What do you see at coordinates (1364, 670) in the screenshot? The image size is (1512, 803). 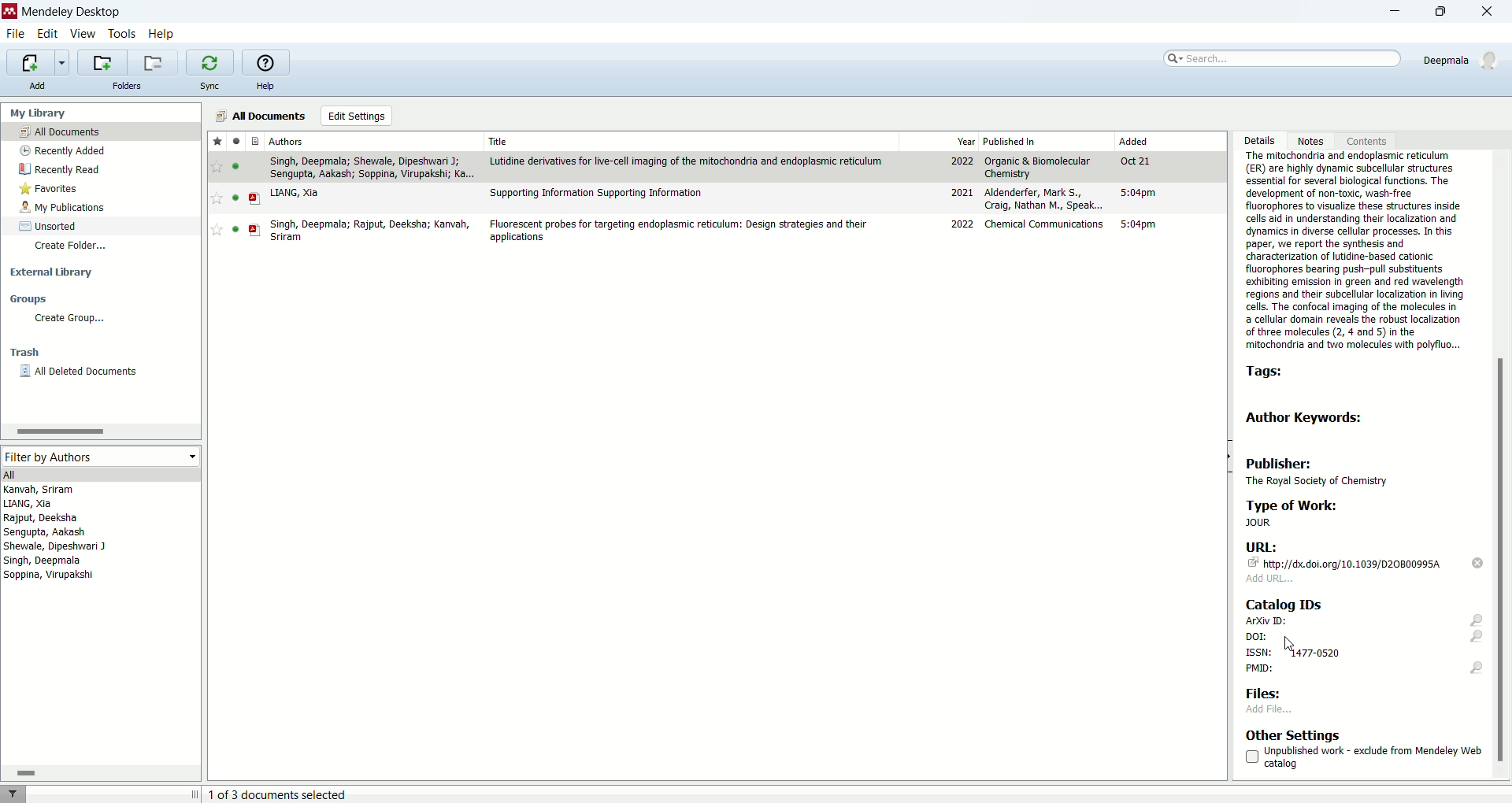 I see `PMID: ` at bounding box center [1364, 670].